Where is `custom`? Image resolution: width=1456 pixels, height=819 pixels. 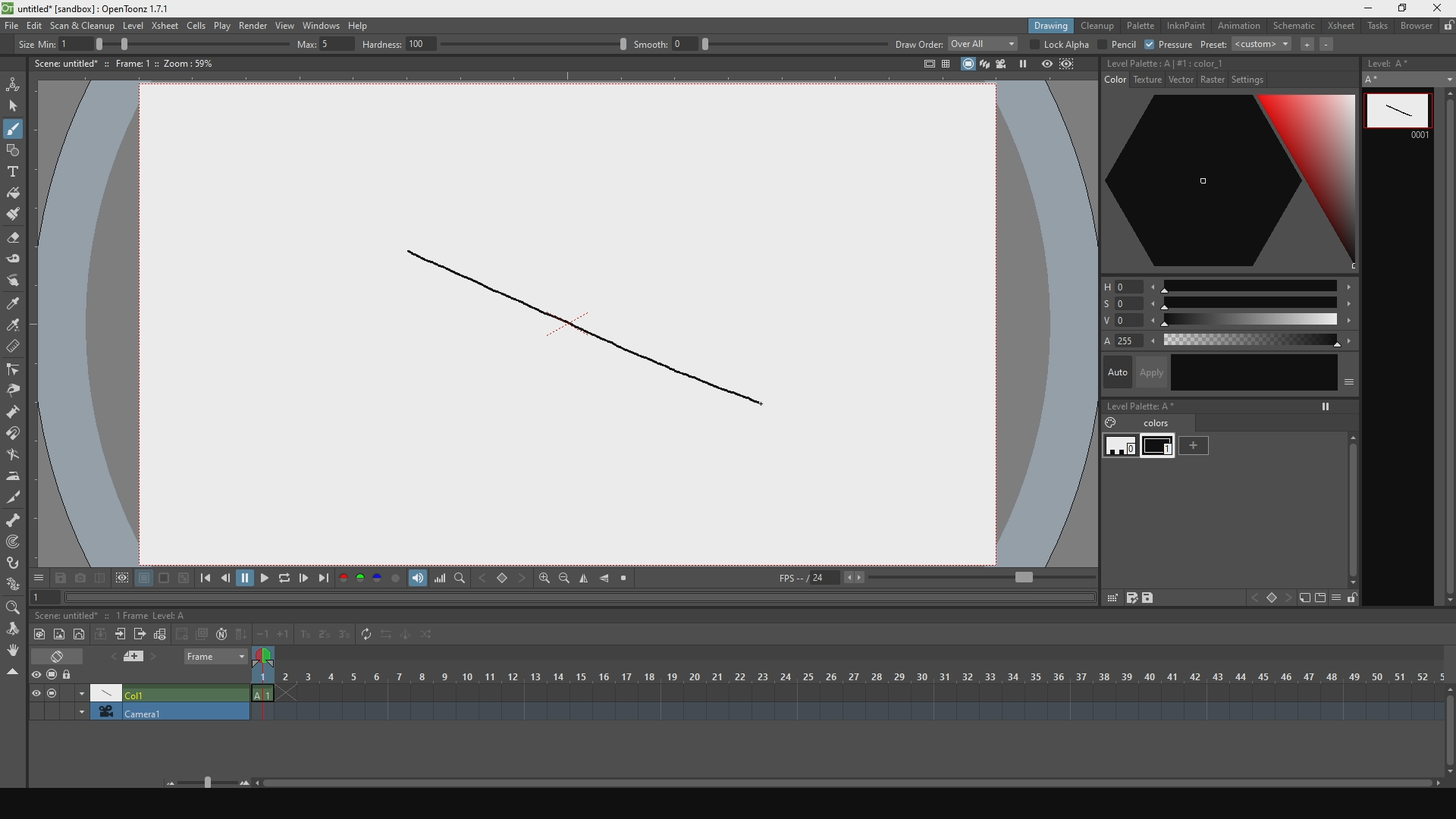
custom is located at coordinates (1262, 48).